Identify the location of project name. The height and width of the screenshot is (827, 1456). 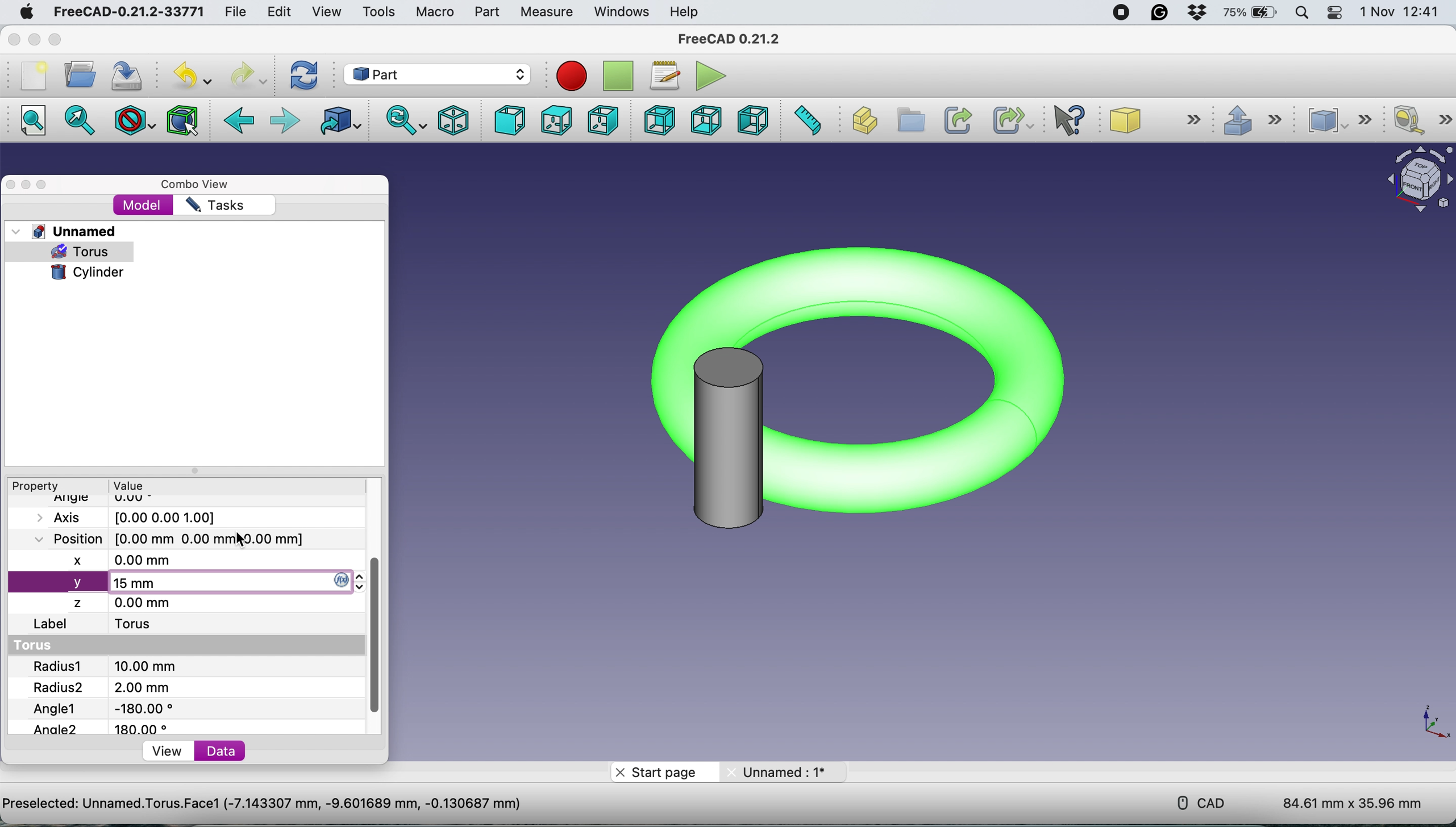
(294, 807).